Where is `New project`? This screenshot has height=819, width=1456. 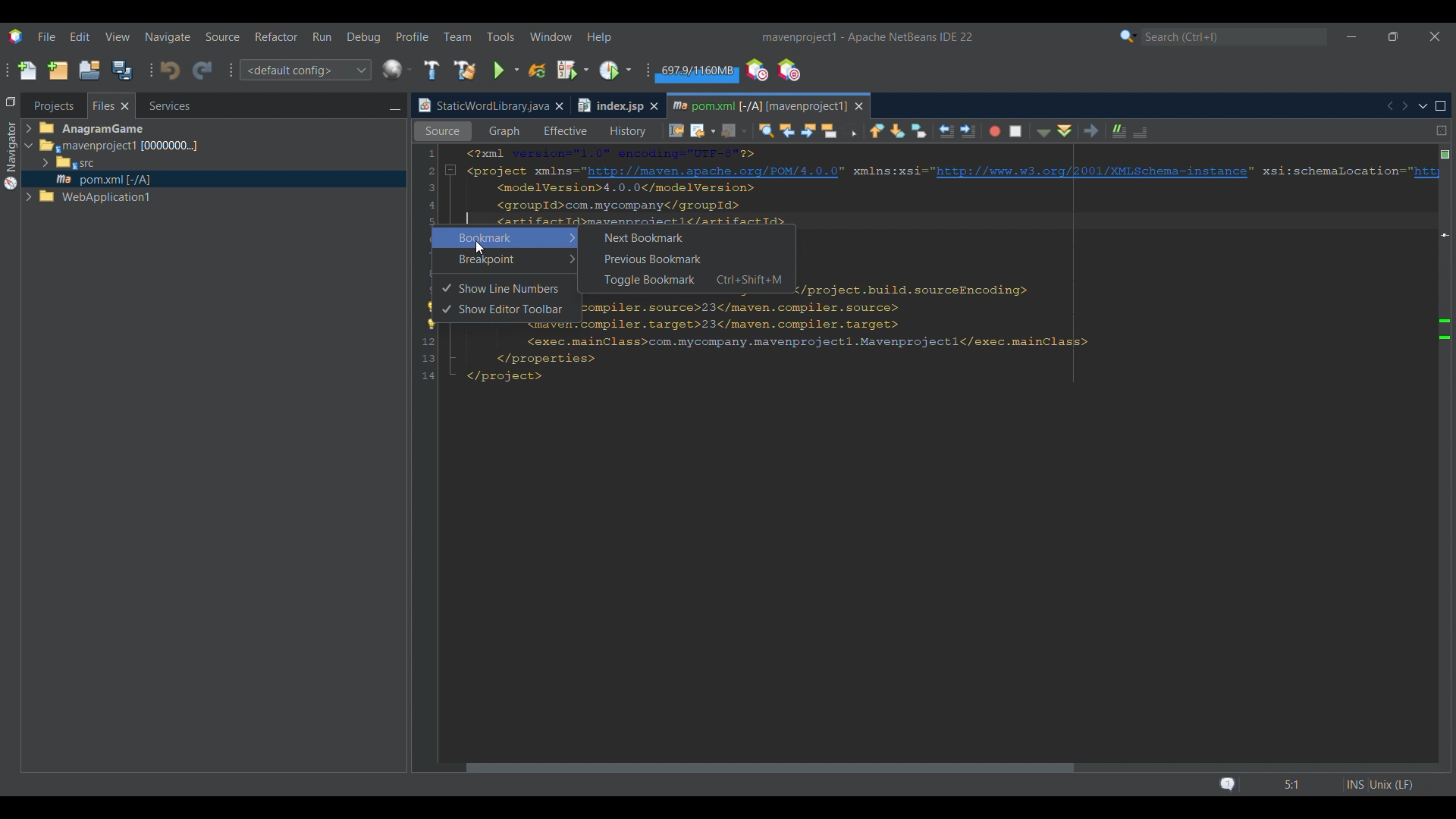
New project is located at coordinates (58, 70).